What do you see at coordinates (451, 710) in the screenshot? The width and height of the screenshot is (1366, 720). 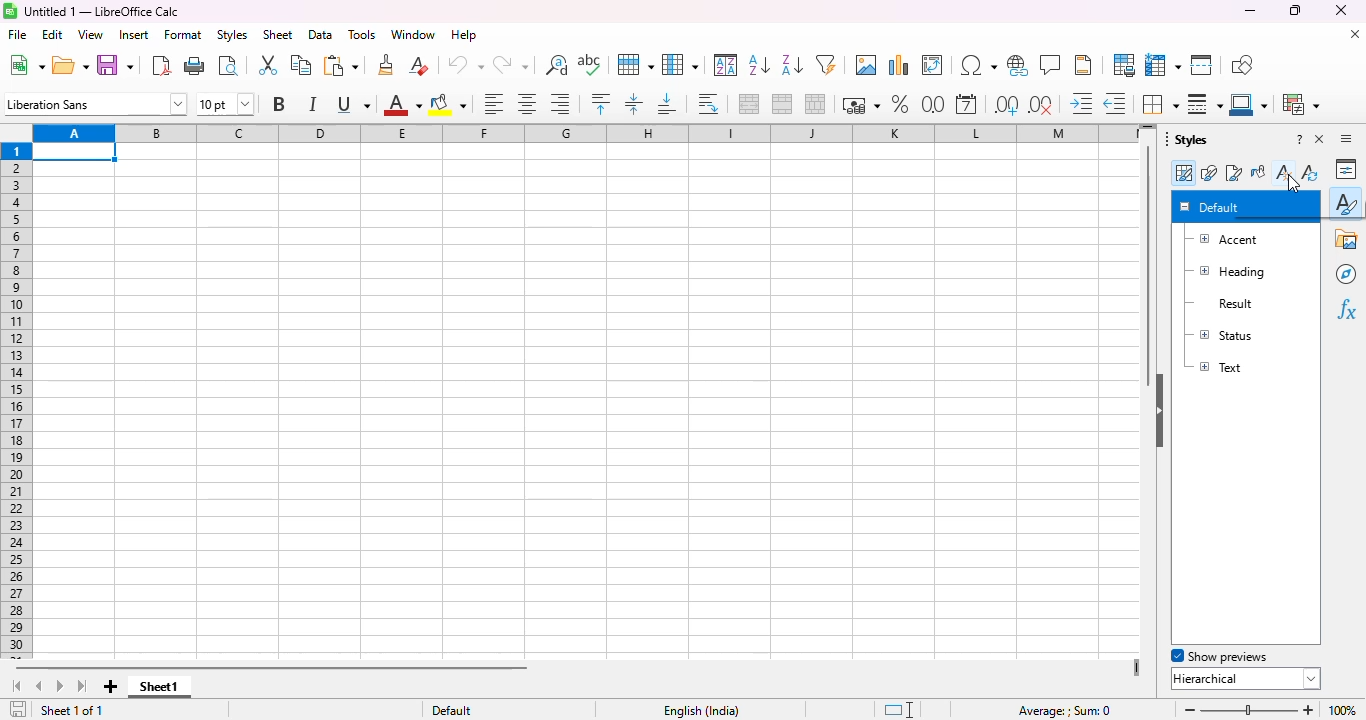 I see `default` at bounding box center [451, 710].